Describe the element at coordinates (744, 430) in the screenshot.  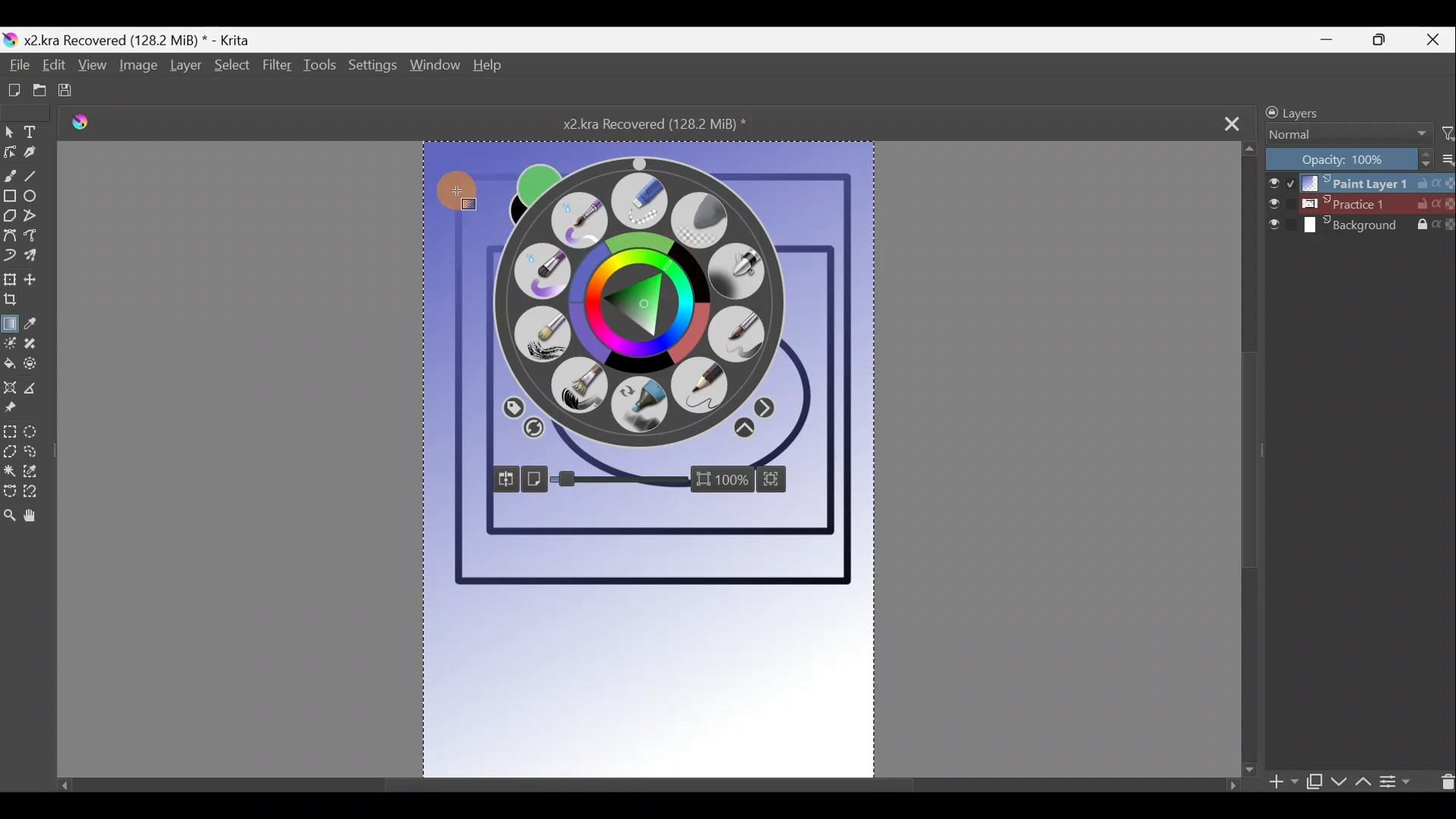
I see `More` at that location.